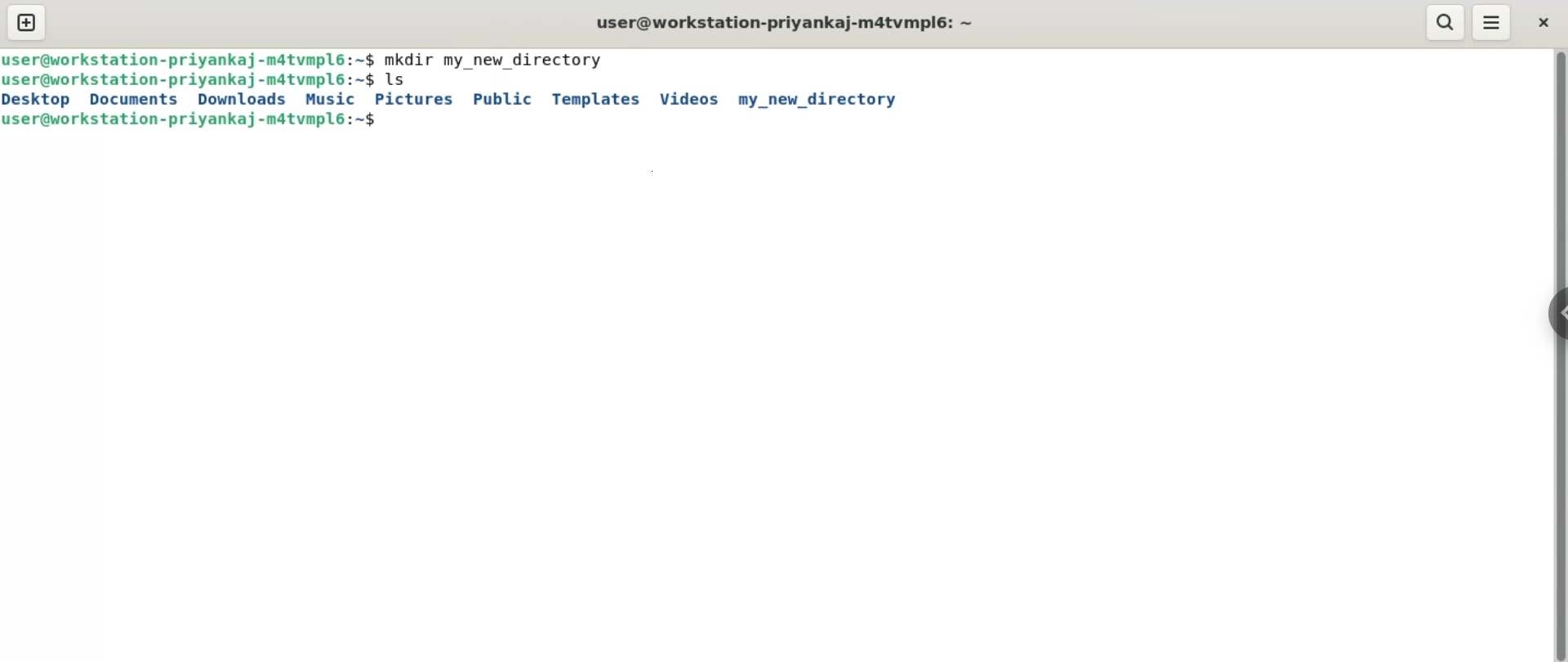 This screenshot has height=662, width=1568. What do you see at coordinates (238, 100) in the screenshot?
I see `downloads` at bounding box center [238, 100].